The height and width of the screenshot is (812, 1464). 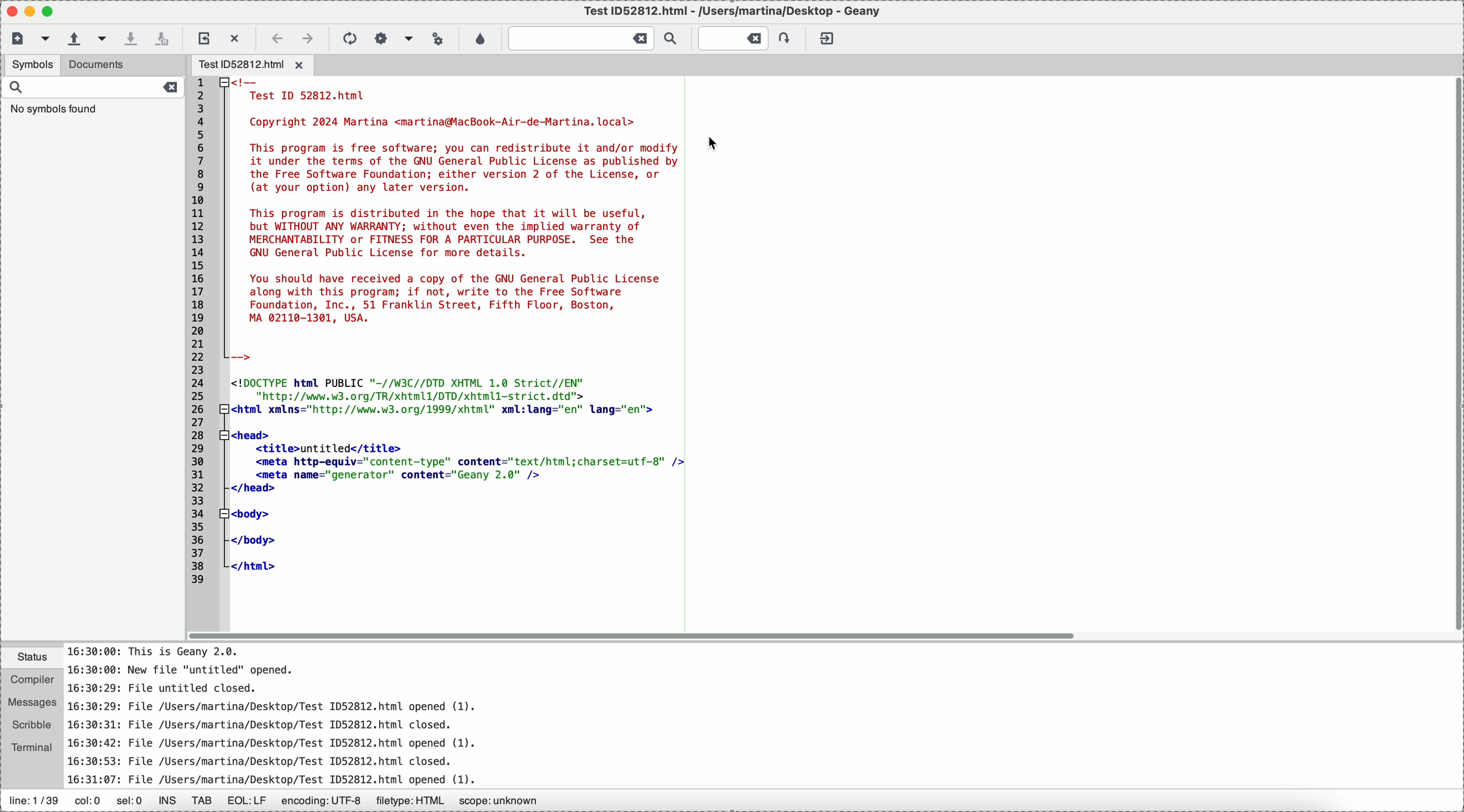 I want to click on run or view the current file, so click(x=437, y=39).